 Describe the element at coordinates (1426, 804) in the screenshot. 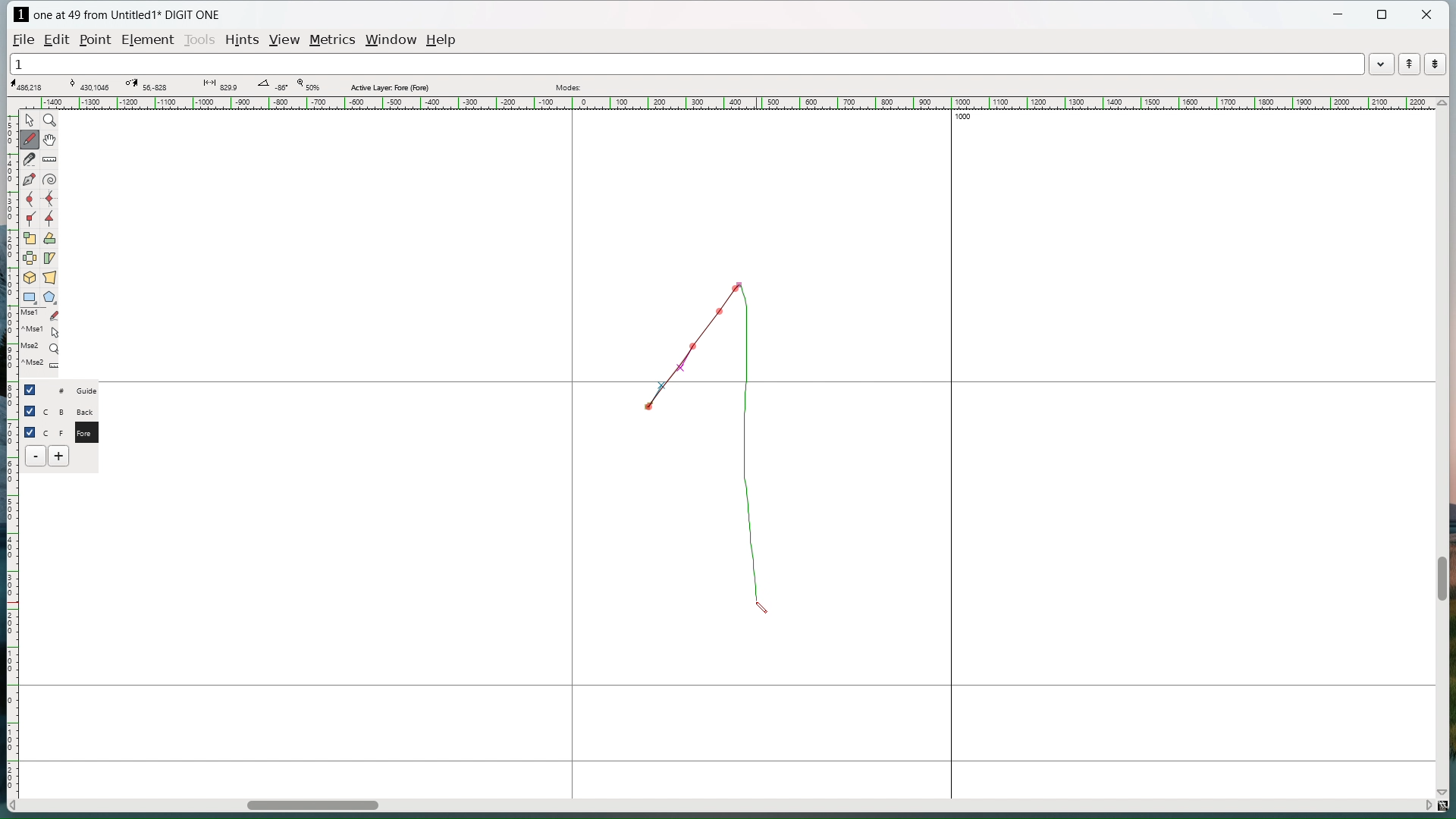

I see `scroll right` at that location.